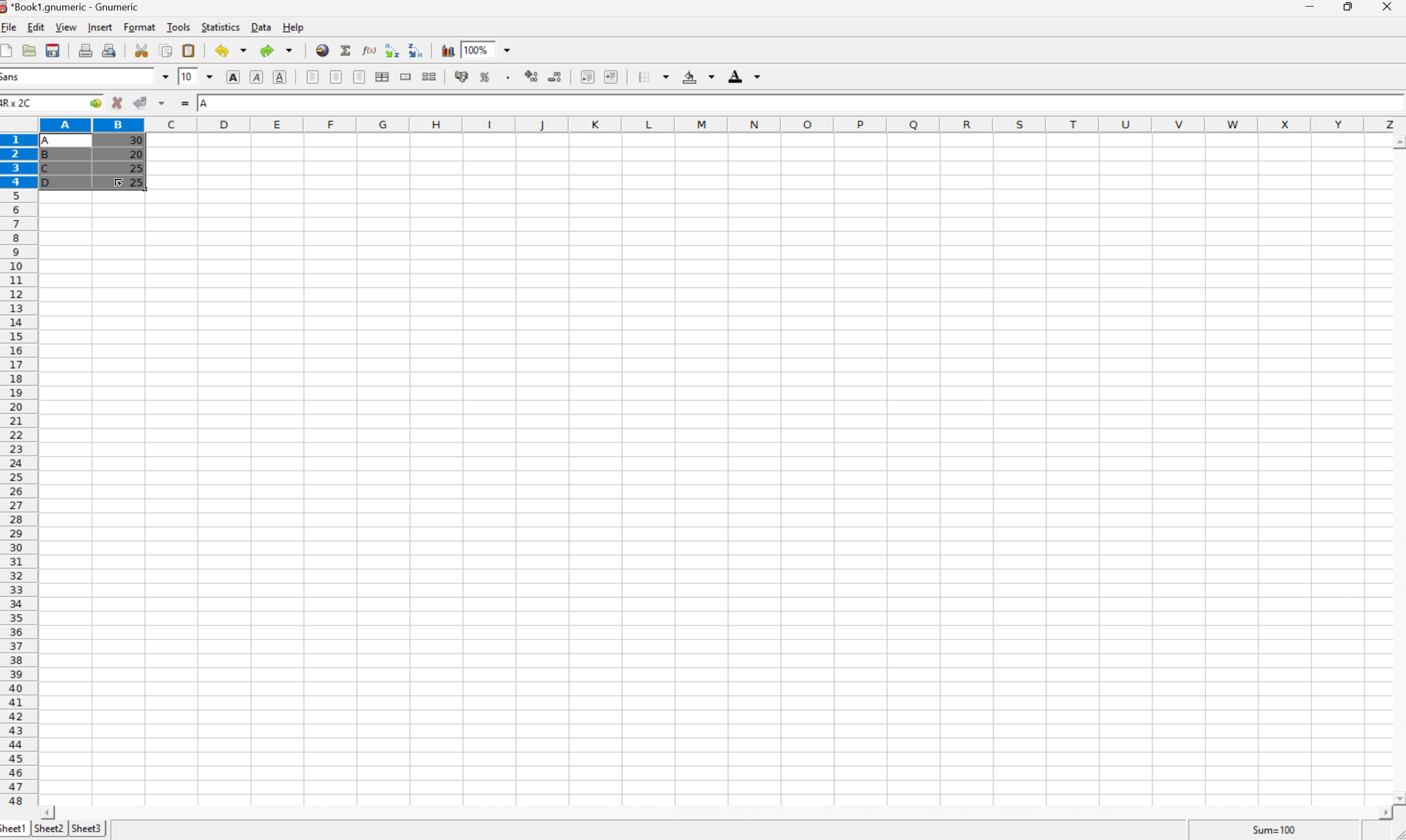 The width and height of the screenshot is (1406, 840). I want to click on Cursor, so click(119, 182).